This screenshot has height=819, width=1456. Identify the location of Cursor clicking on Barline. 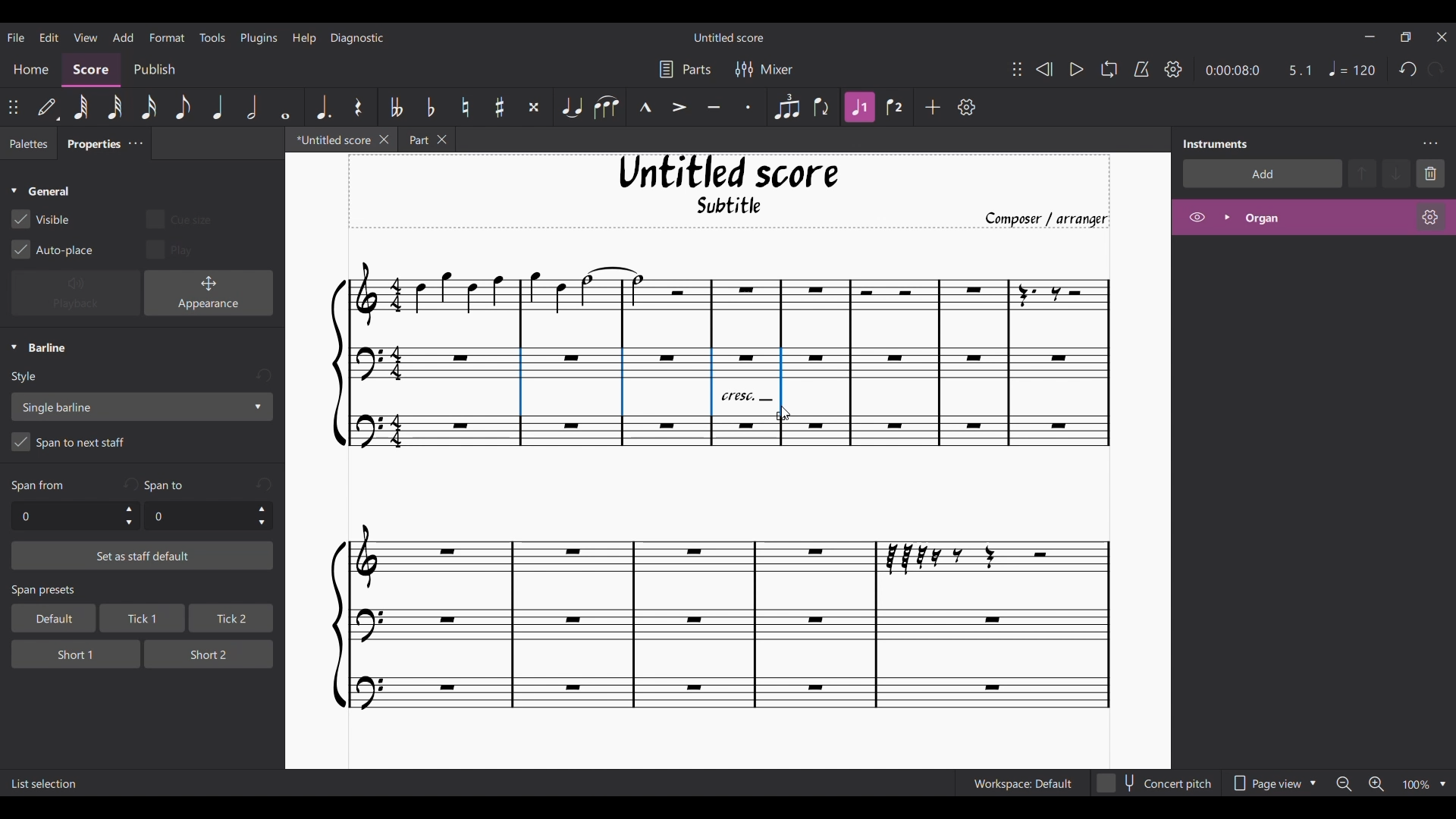
(785, 413).